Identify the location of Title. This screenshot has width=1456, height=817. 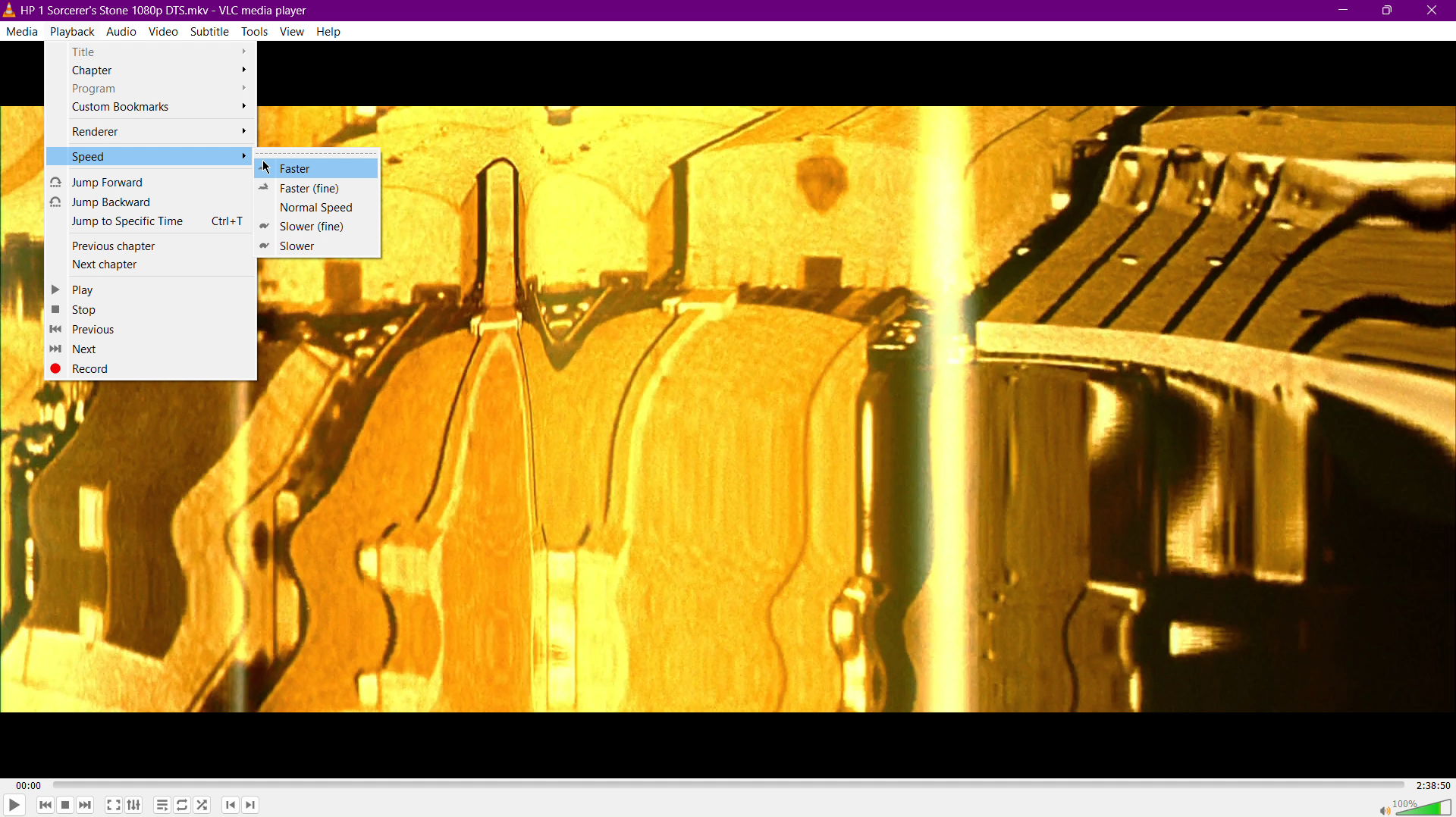
(151, 50).